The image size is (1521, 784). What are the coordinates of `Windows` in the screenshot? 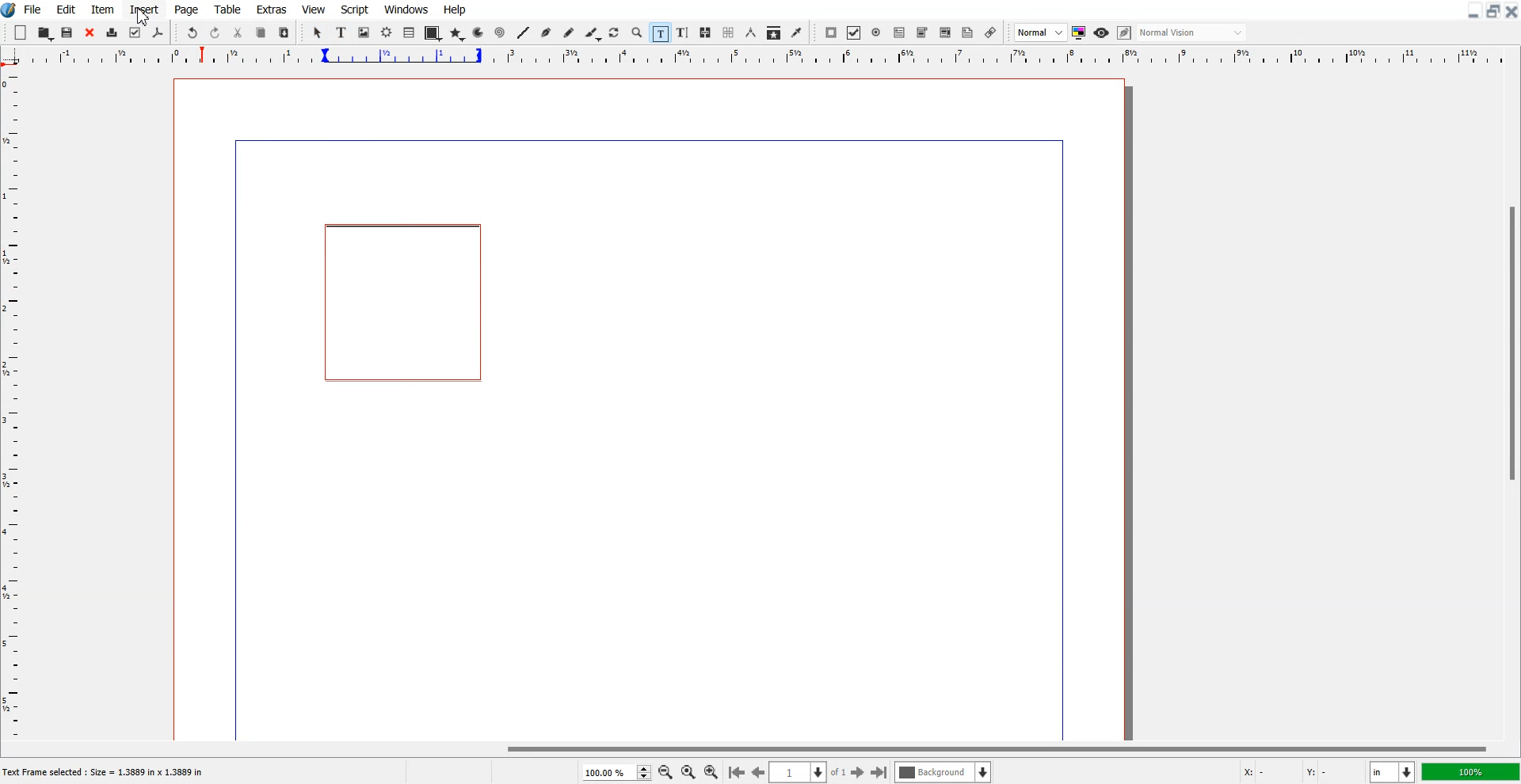 It's located at (407, 9).